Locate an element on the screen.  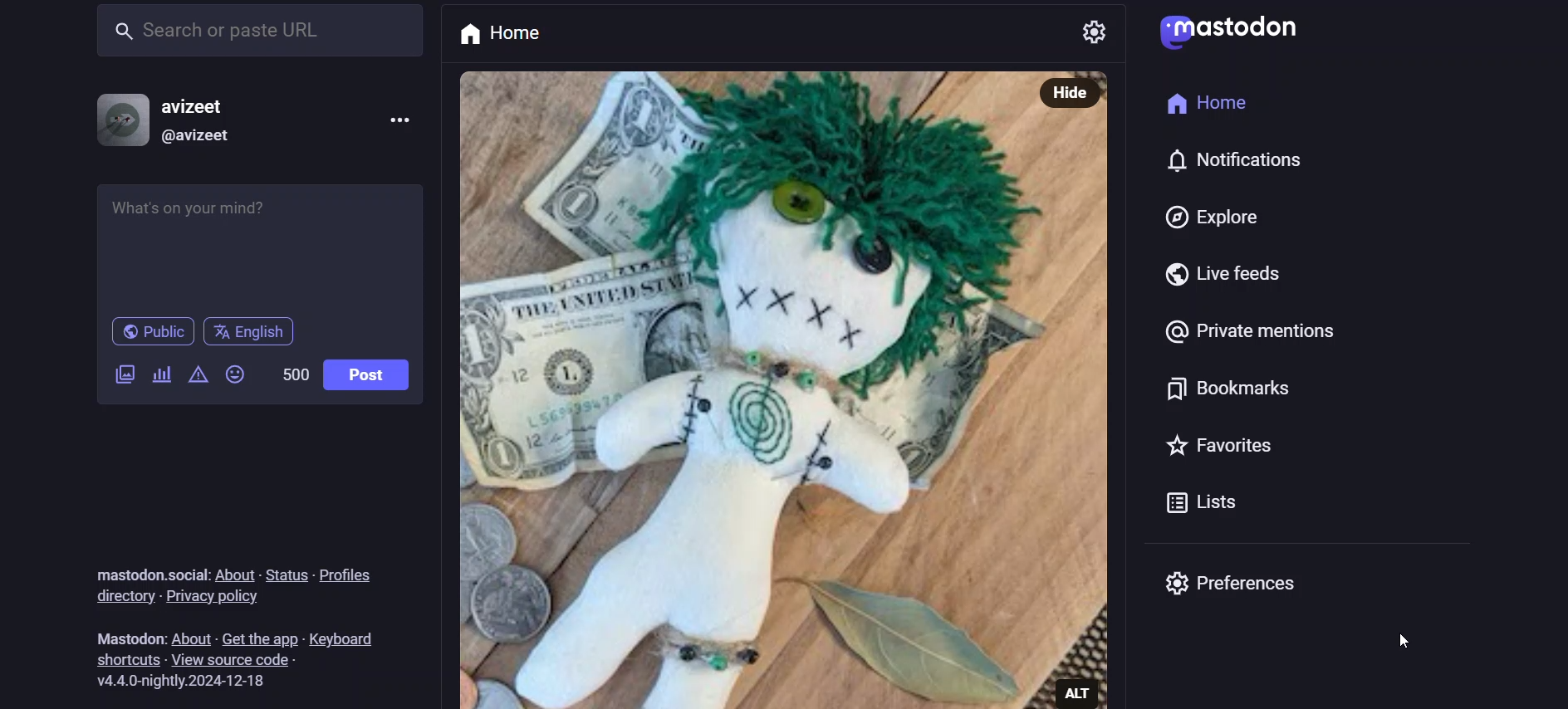
notification is located at coordinates (1247, 158).